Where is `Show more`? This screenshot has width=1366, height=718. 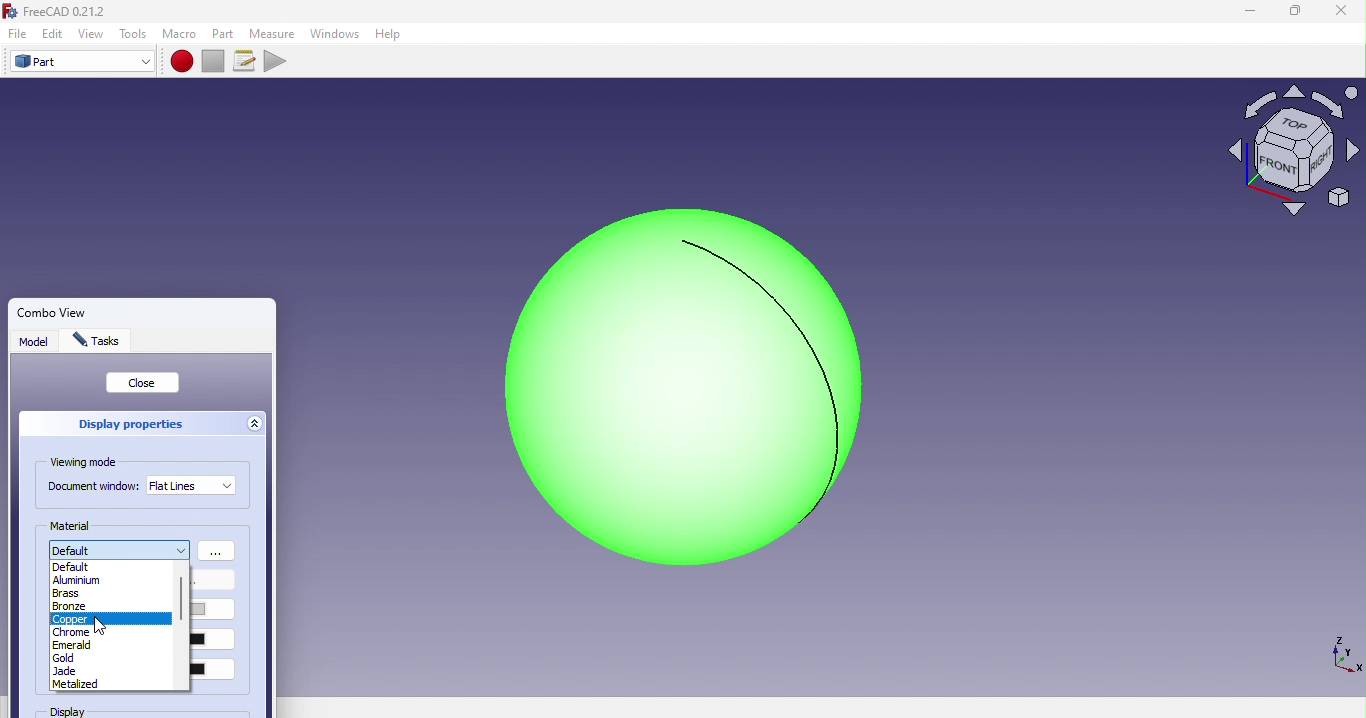 Show more is located at coordinates (218, 551).